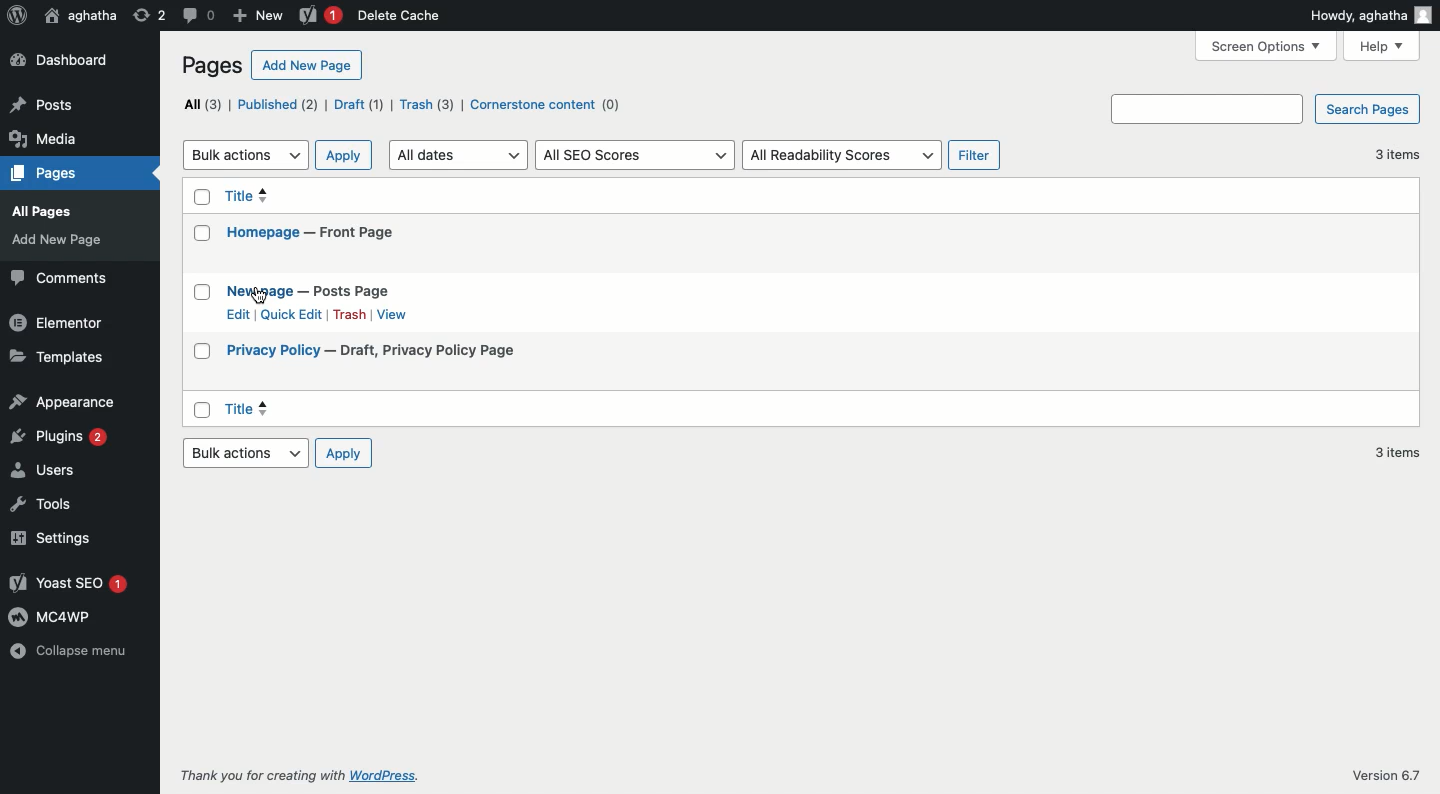 The width and height of the screenshot is (1440, 794). Describe the element at coordinates (395, 315) in the screenshot. I see `View` at that location.